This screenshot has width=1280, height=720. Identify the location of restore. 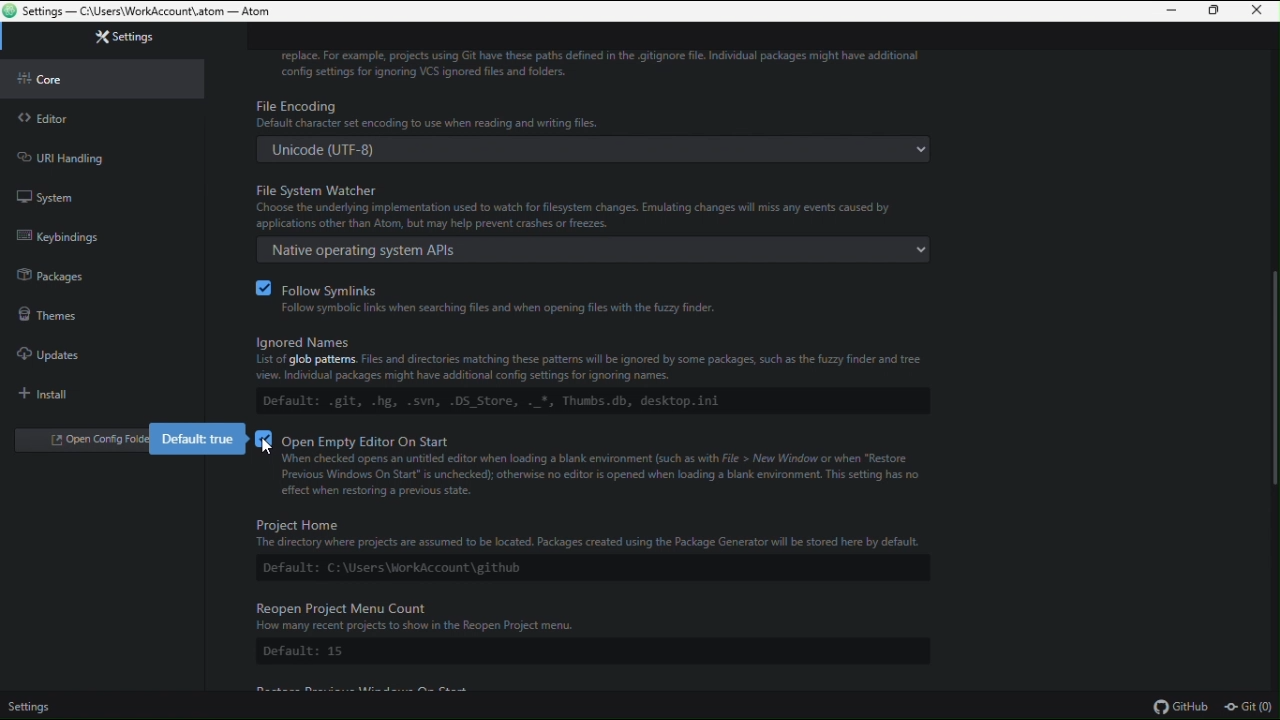
(1214, 12).